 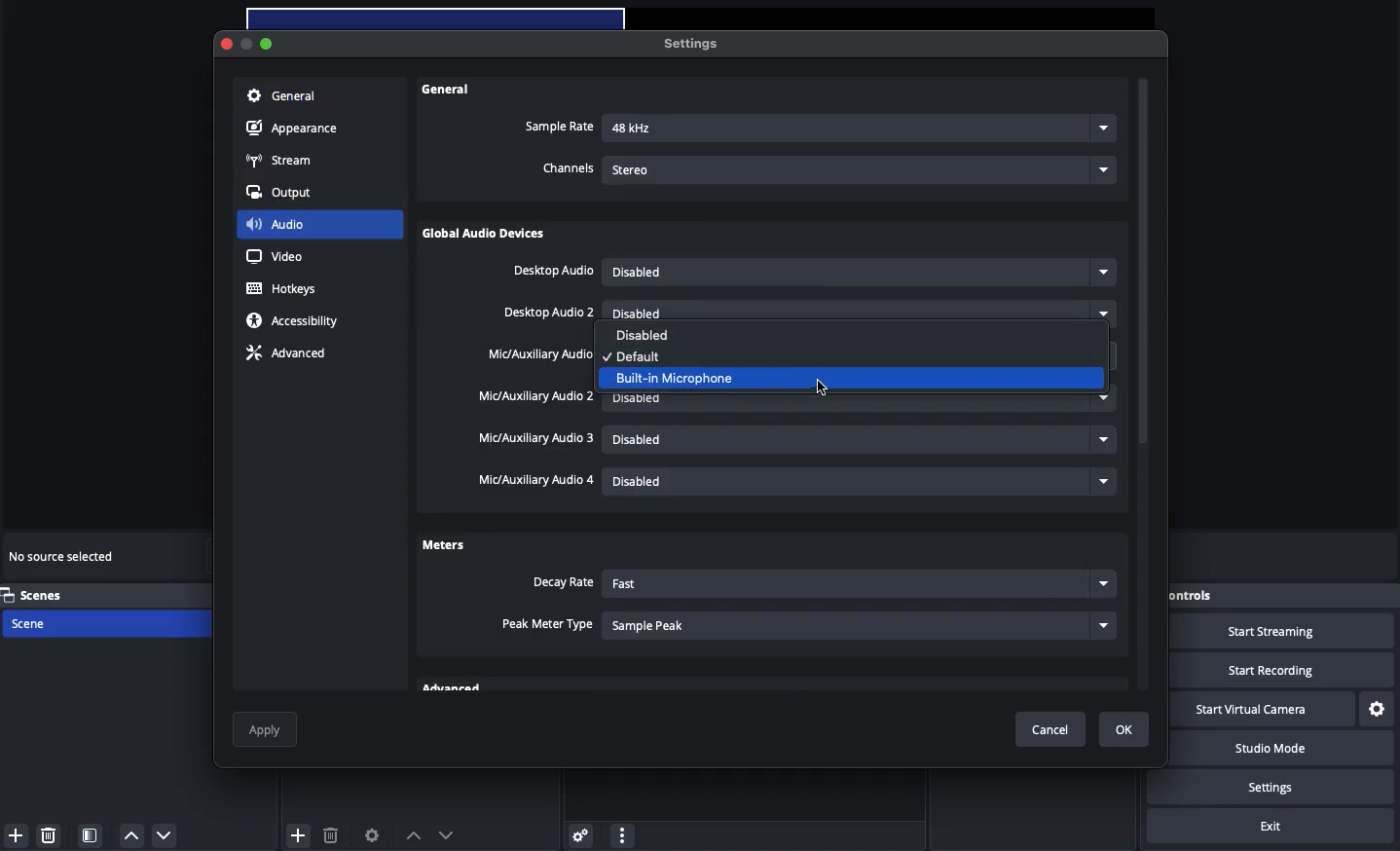 What do you see at coordinates (285, 193) in the screenshot?
I see `Output` at bounding box center [285, 193].